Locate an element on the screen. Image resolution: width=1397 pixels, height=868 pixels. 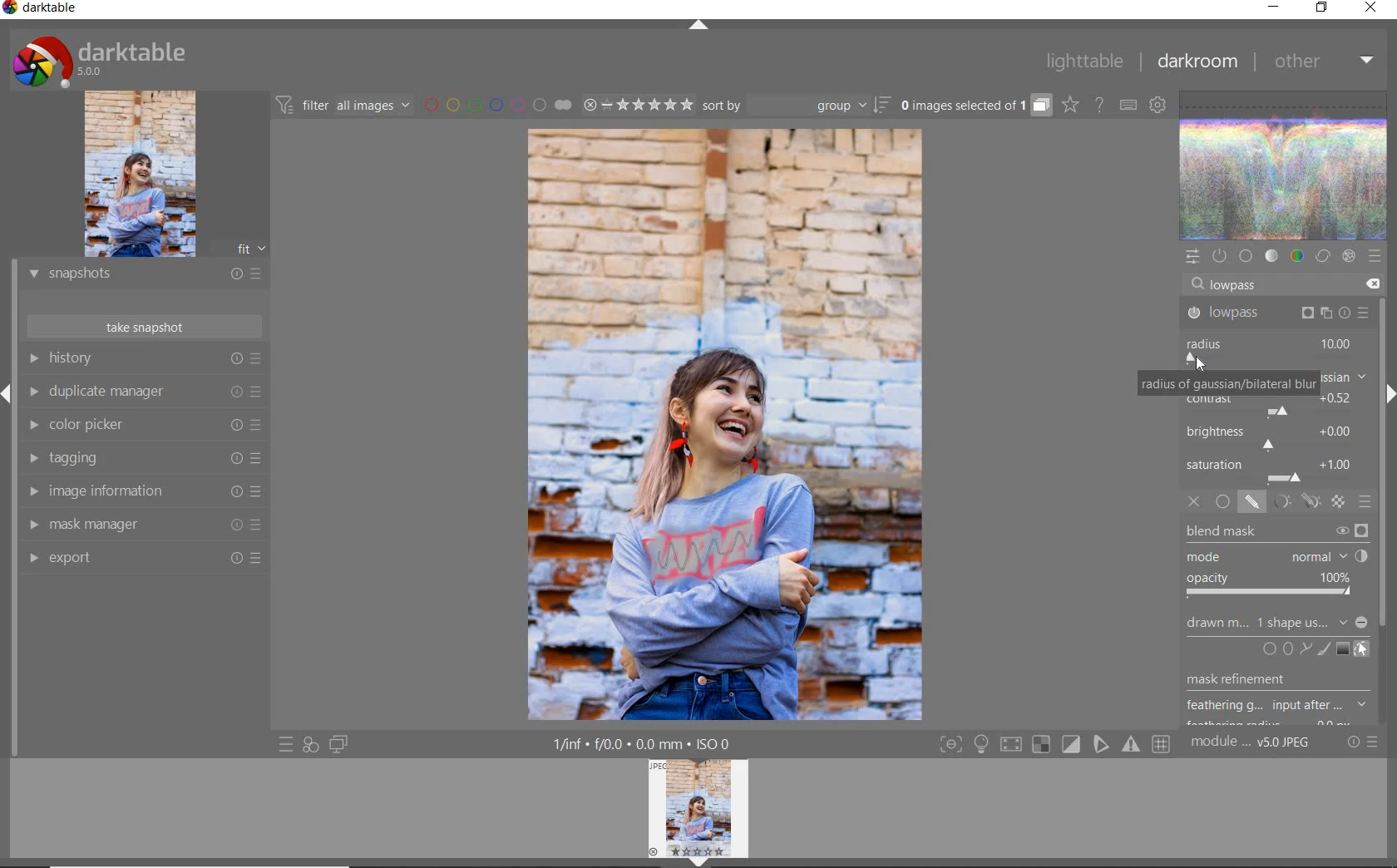
lowpass is located at coordinates (1241, 286).